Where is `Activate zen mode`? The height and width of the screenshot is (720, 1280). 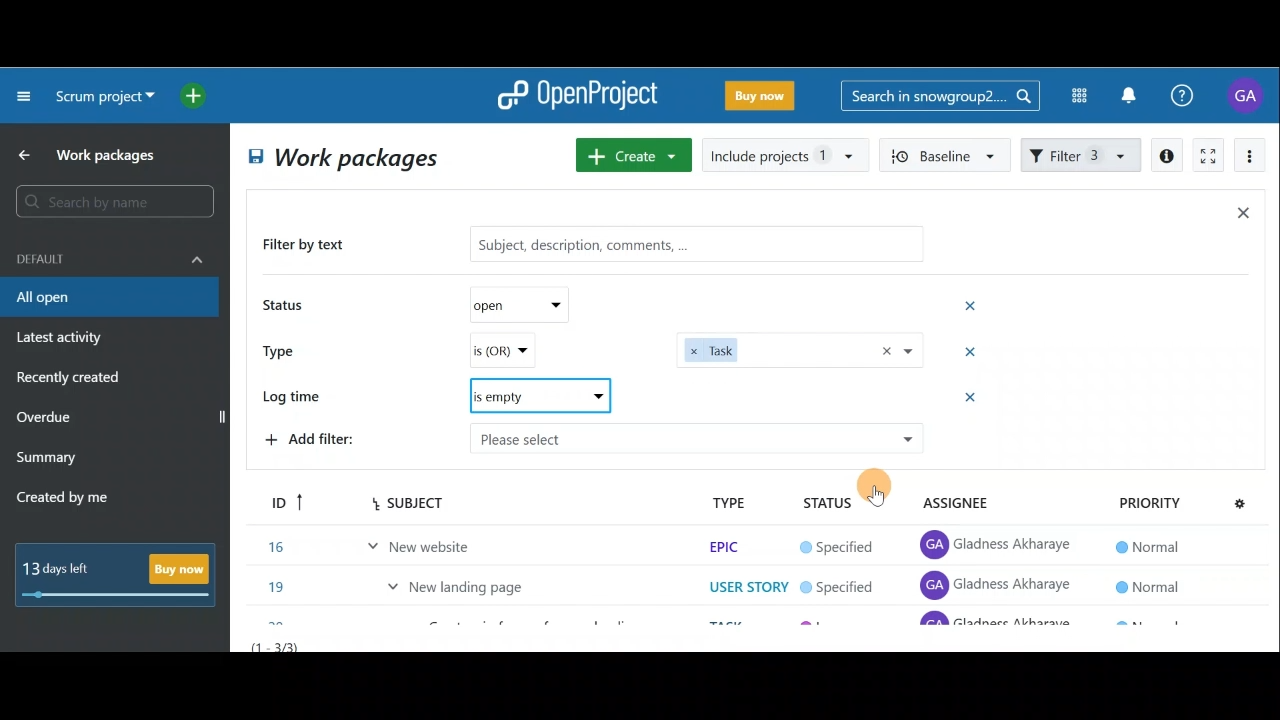 Activate zen mode is located at coordinates (1206, 157).